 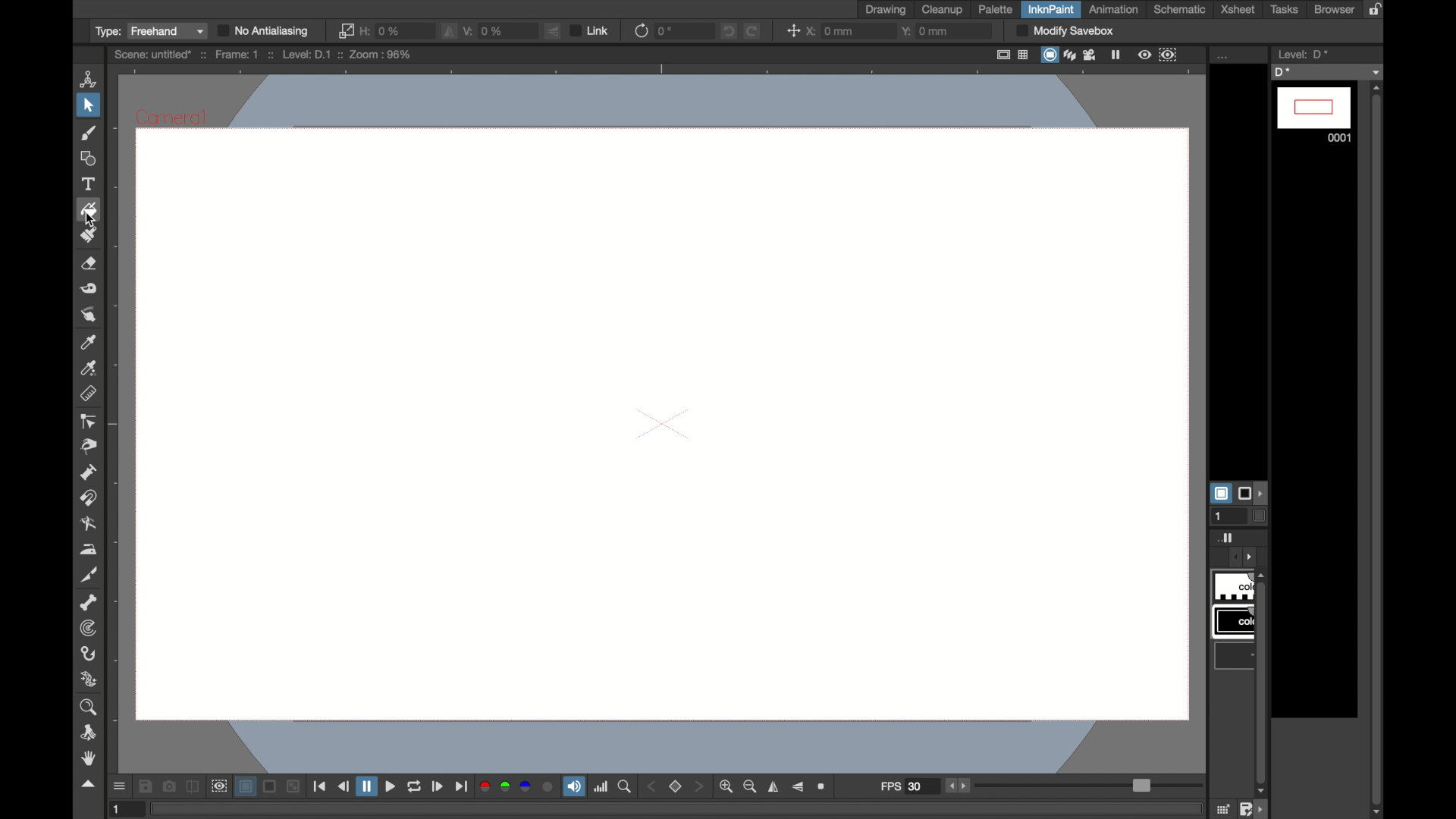 I want to click on cleanup, so click(x=943, y=9).